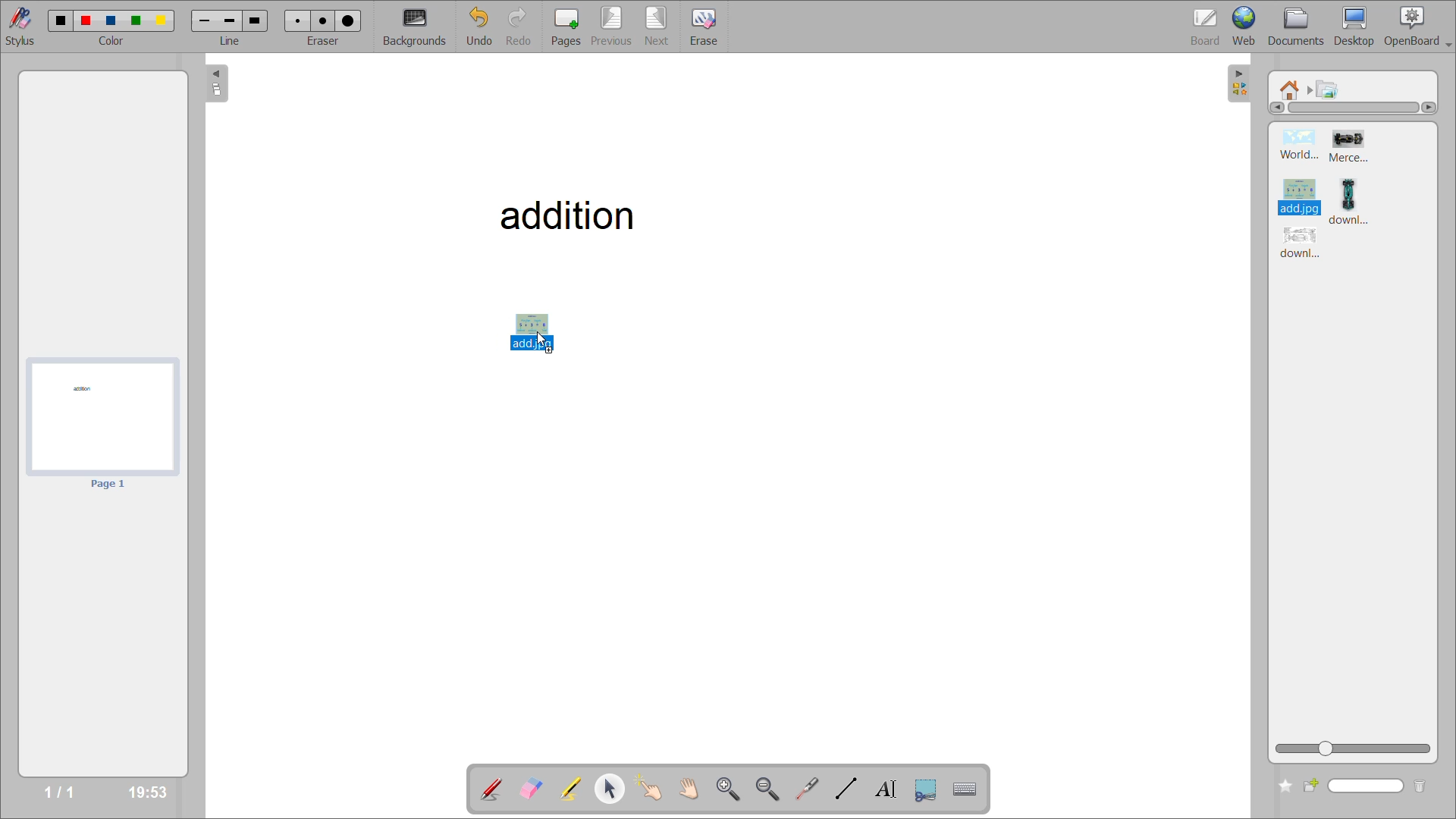  I want to click on pages, so click(565, 27).